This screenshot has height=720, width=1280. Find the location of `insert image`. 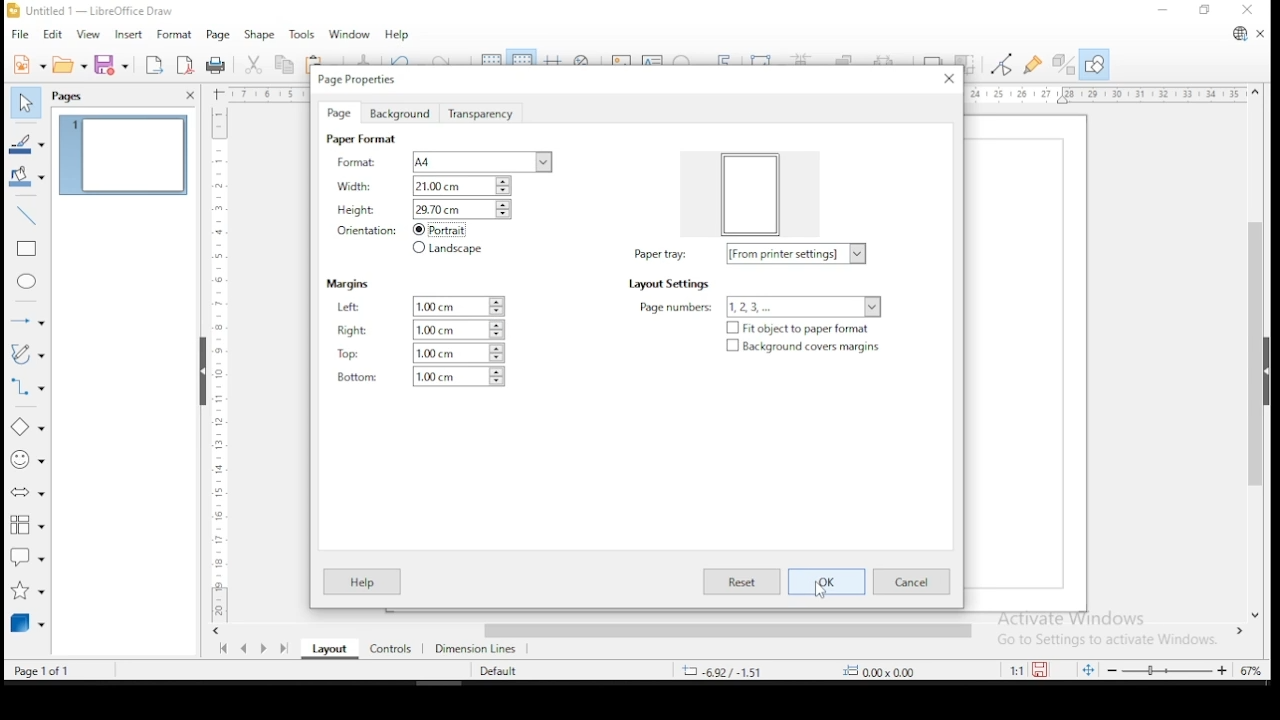

insert image is located at coordinates (623, 57).